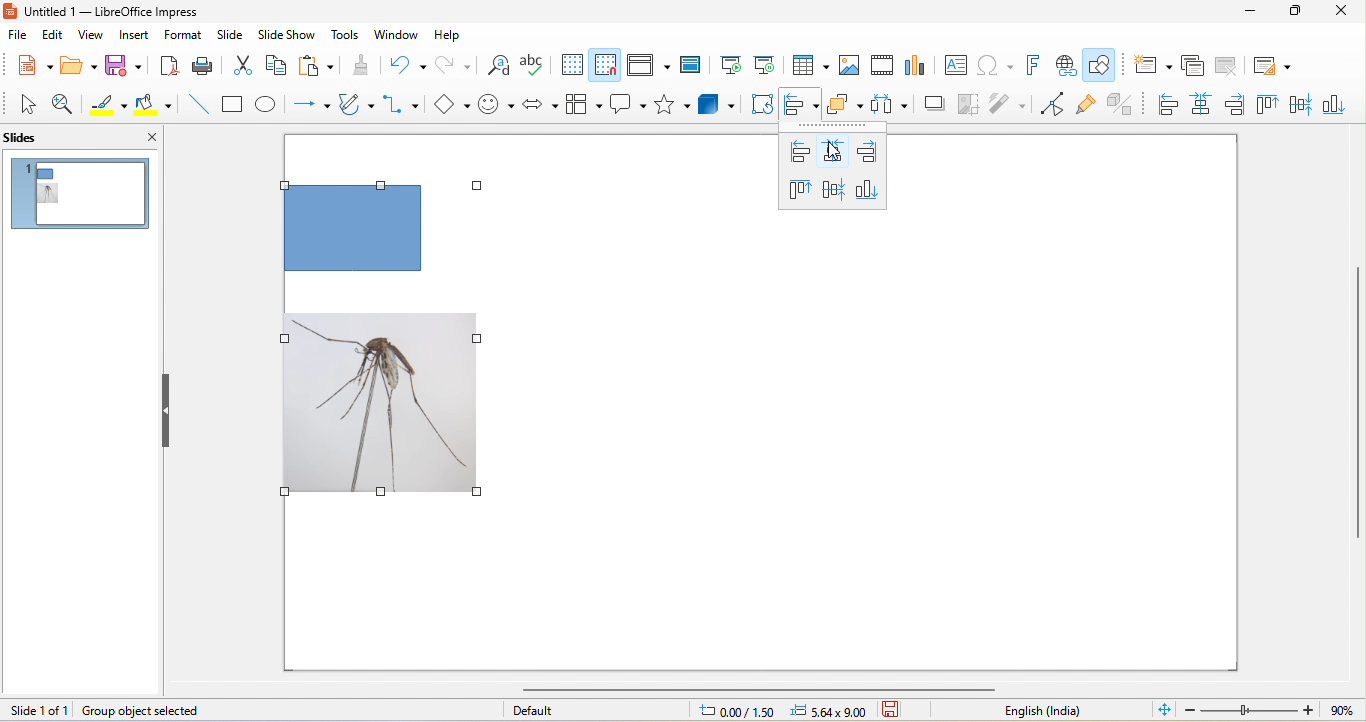 This screenshot has height=722, width=1366. Describe the element at coordinates (722, 104) in the screenshot. I see `3d object` at that location.